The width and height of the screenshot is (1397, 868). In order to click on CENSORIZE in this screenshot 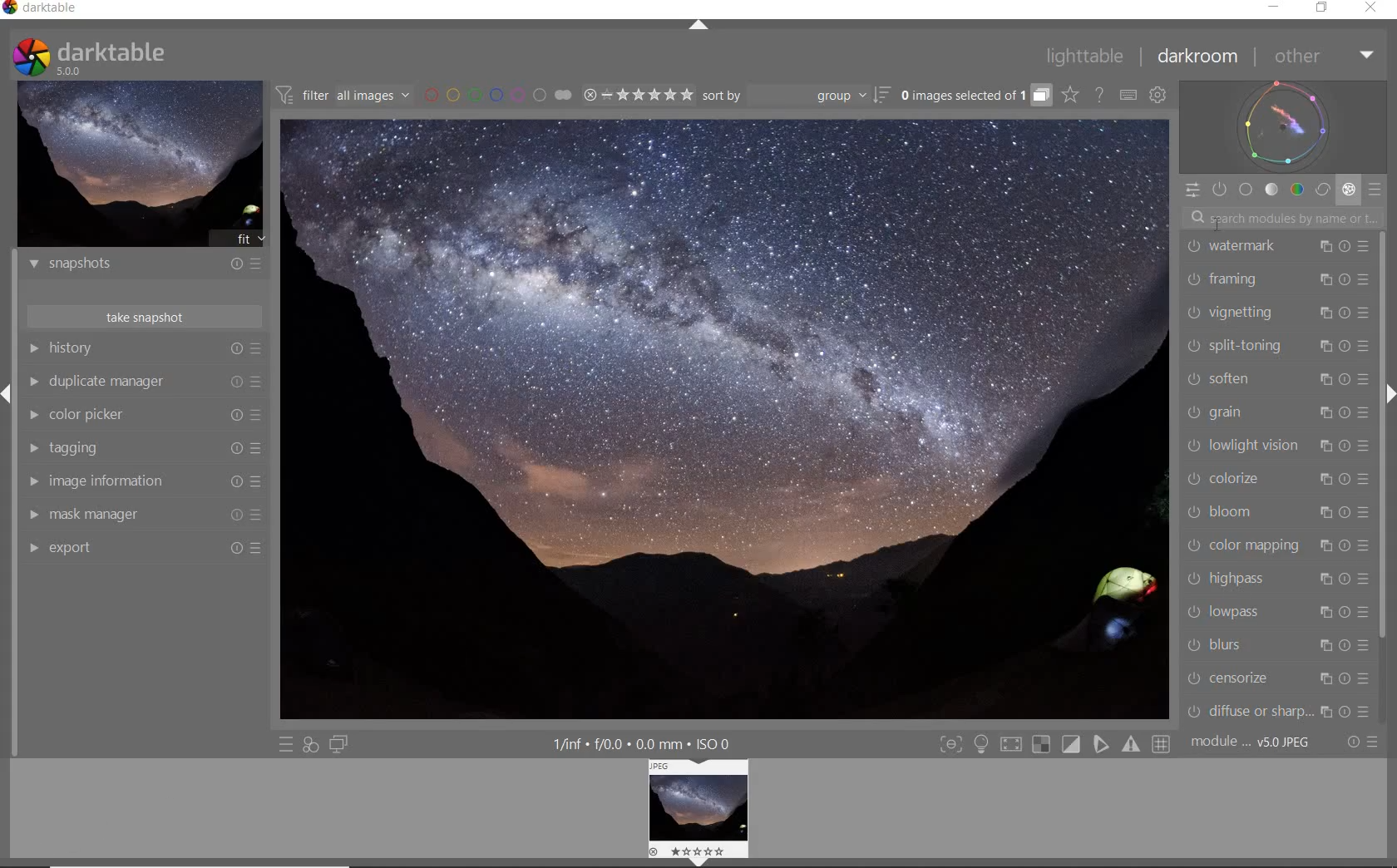, I will do `click(1230, 678)`.